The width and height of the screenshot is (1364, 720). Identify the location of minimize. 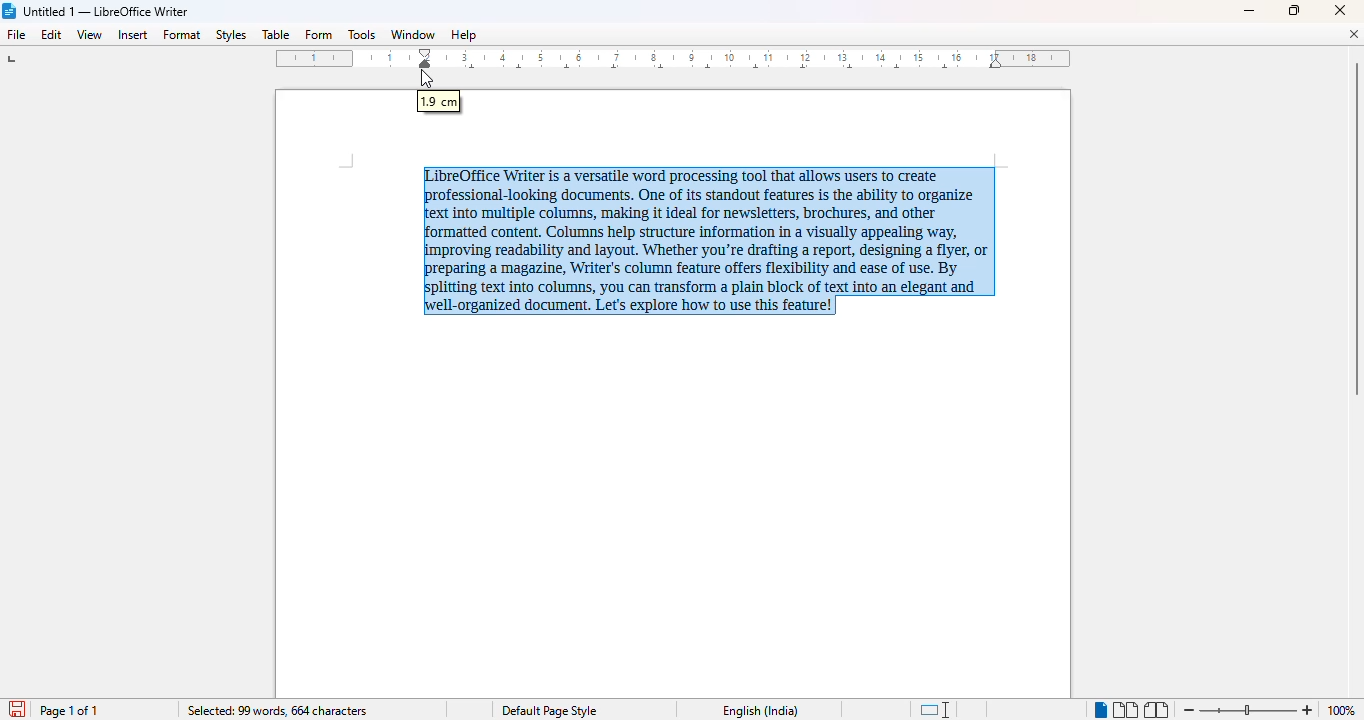
(1249, 12).